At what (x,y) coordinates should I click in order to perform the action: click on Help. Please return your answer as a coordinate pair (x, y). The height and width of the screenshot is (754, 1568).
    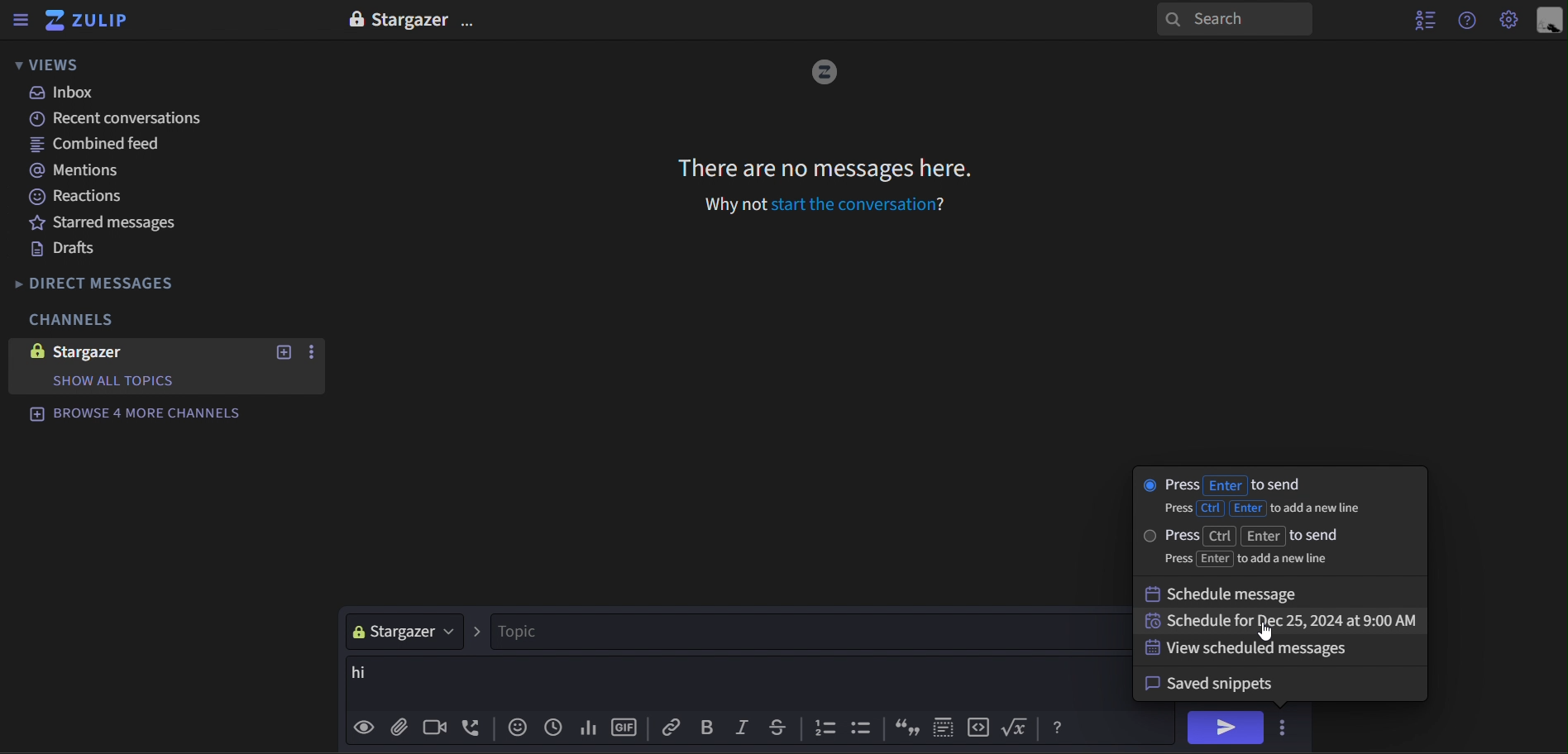
    Looking at the image, I should click on (1064, 730).